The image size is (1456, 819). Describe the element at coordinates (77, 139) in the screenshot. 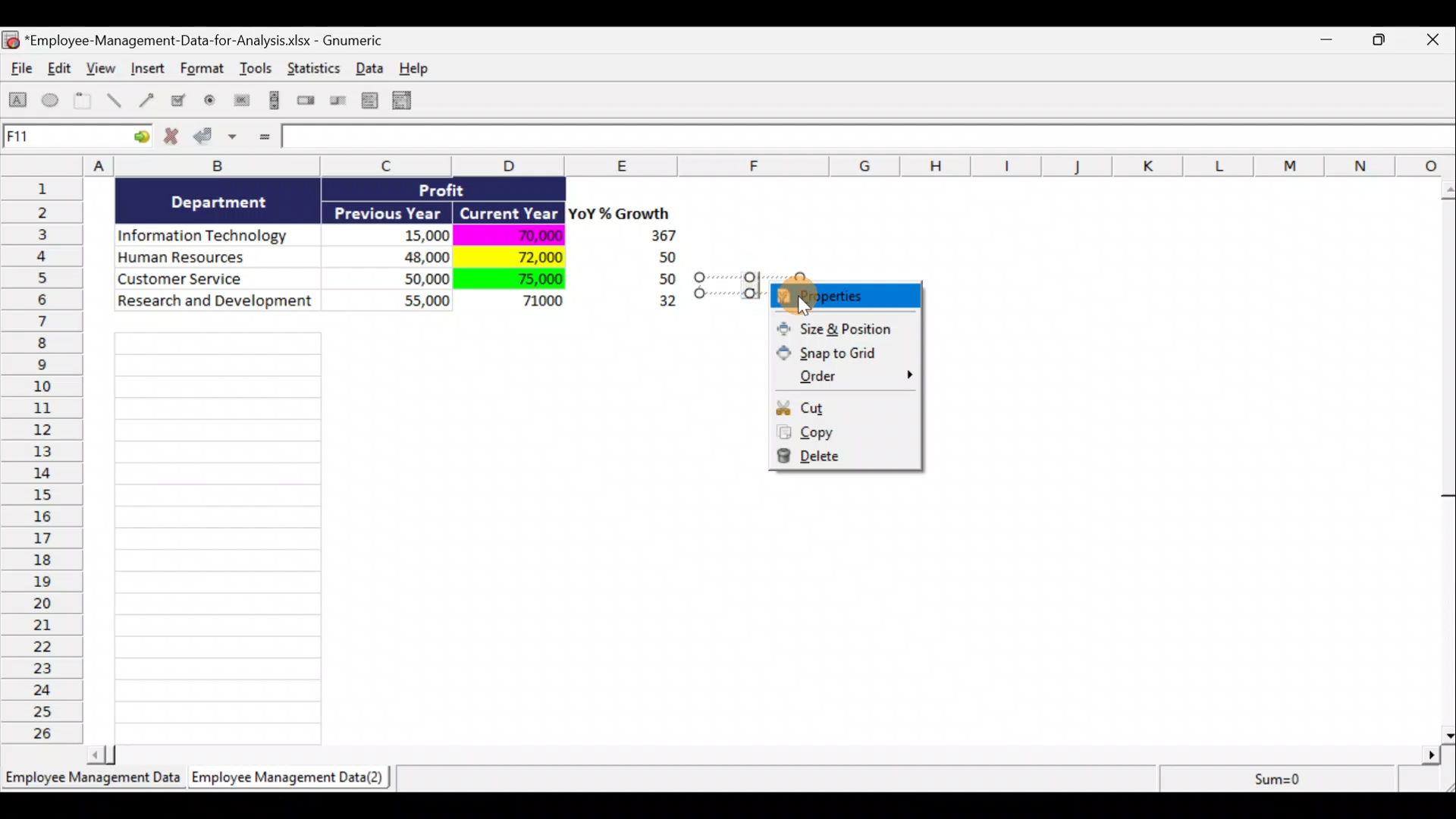

I see `Cell allocation` at that location.